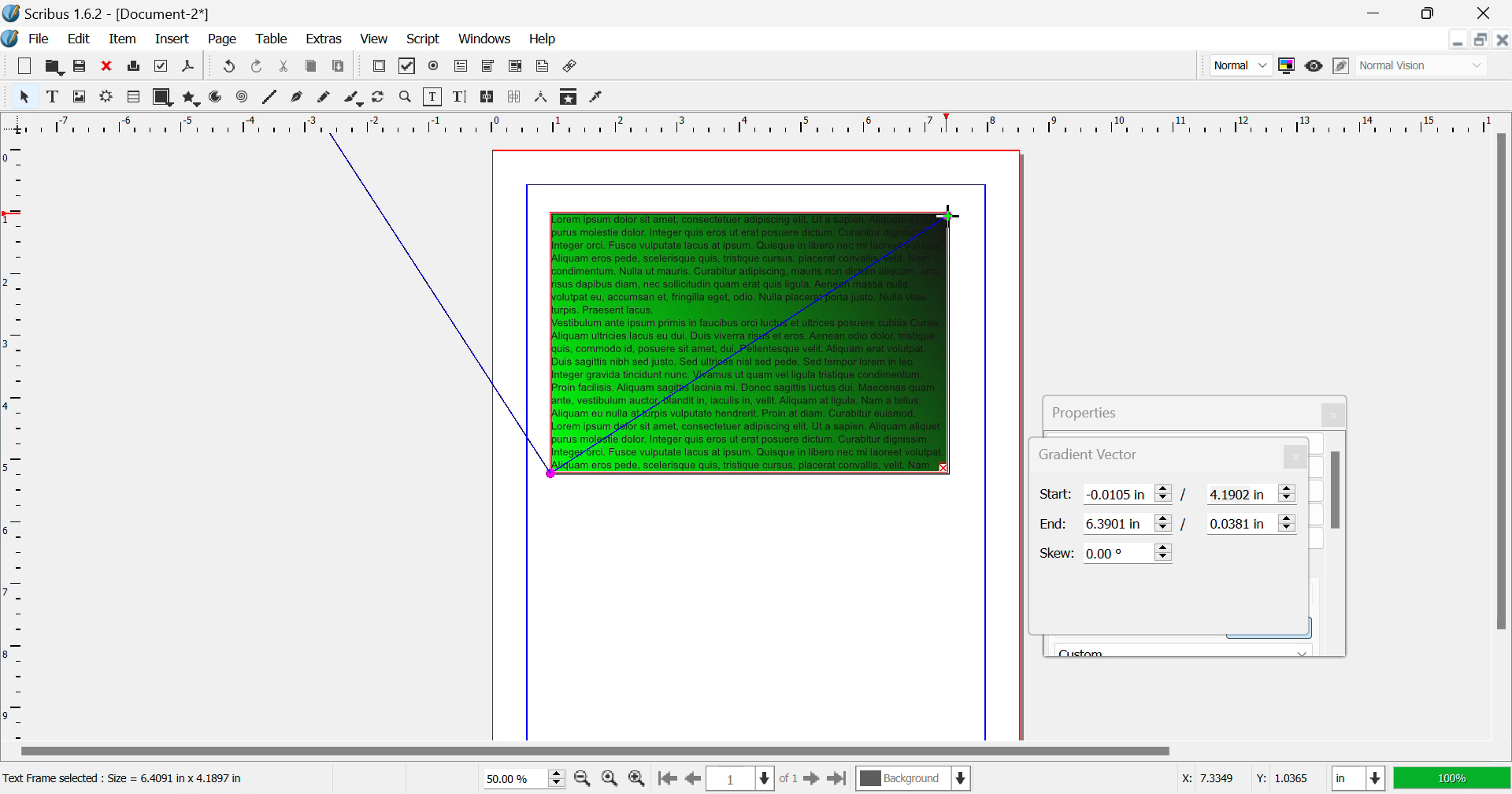 The width and height of the screenshot is (1512, 794). What do you see at coordinates (124, 39) in the screenshot?
I see `Item` at bounding box center [124, 39].